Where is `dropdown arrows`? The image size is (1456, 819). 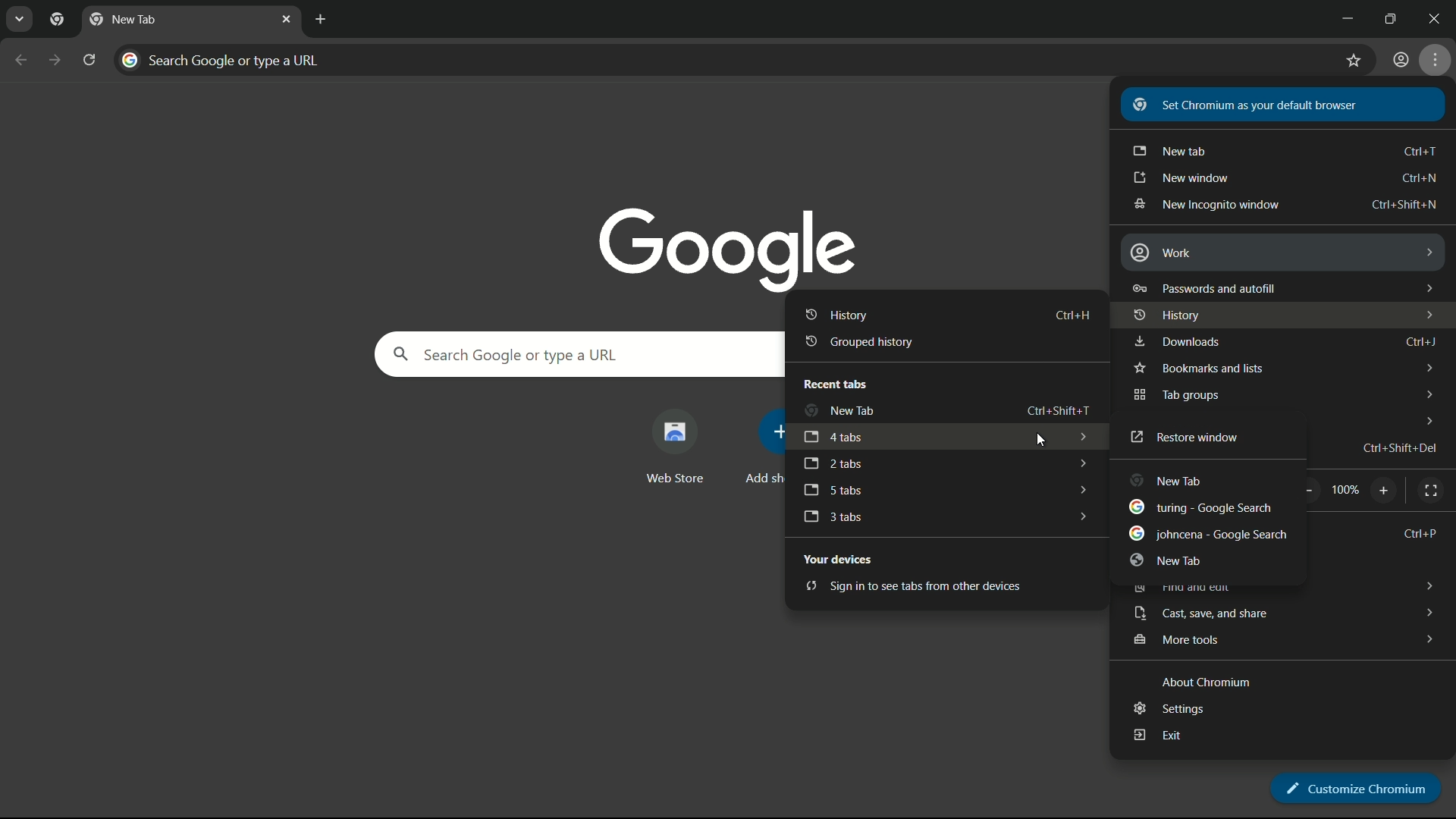 dropdown arrows is located at coordinates (1081, 438).